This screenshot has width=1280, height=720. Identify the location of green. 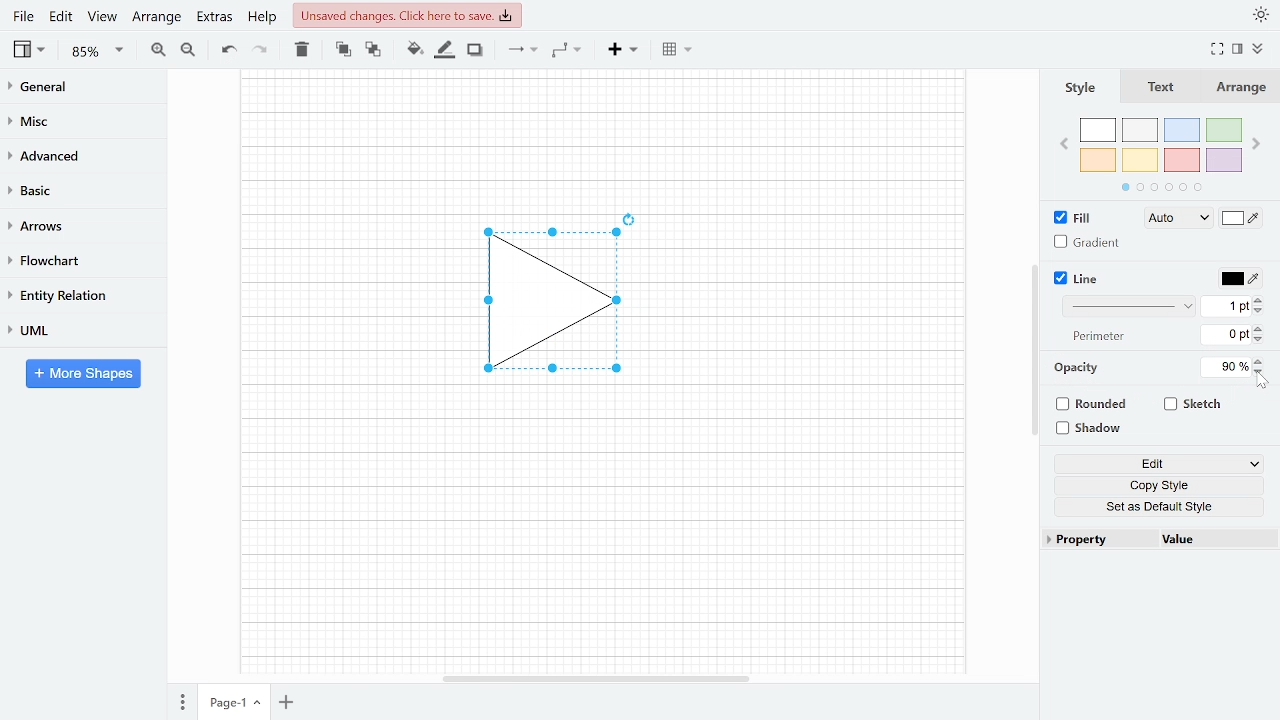
(1225, 131).